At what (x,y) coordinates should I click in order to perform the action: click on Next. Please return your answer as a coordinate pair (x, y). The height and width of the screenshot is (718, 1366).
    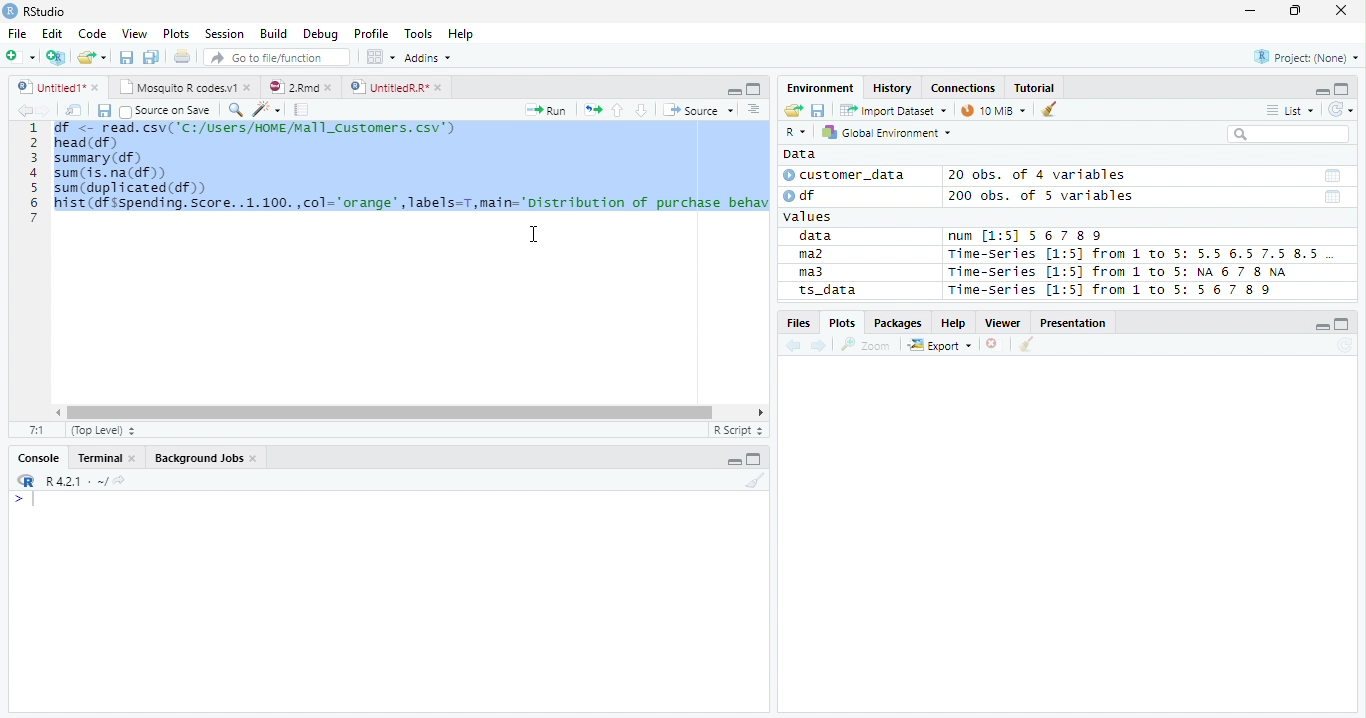
    Looking at the image, I should click on (820, 347).